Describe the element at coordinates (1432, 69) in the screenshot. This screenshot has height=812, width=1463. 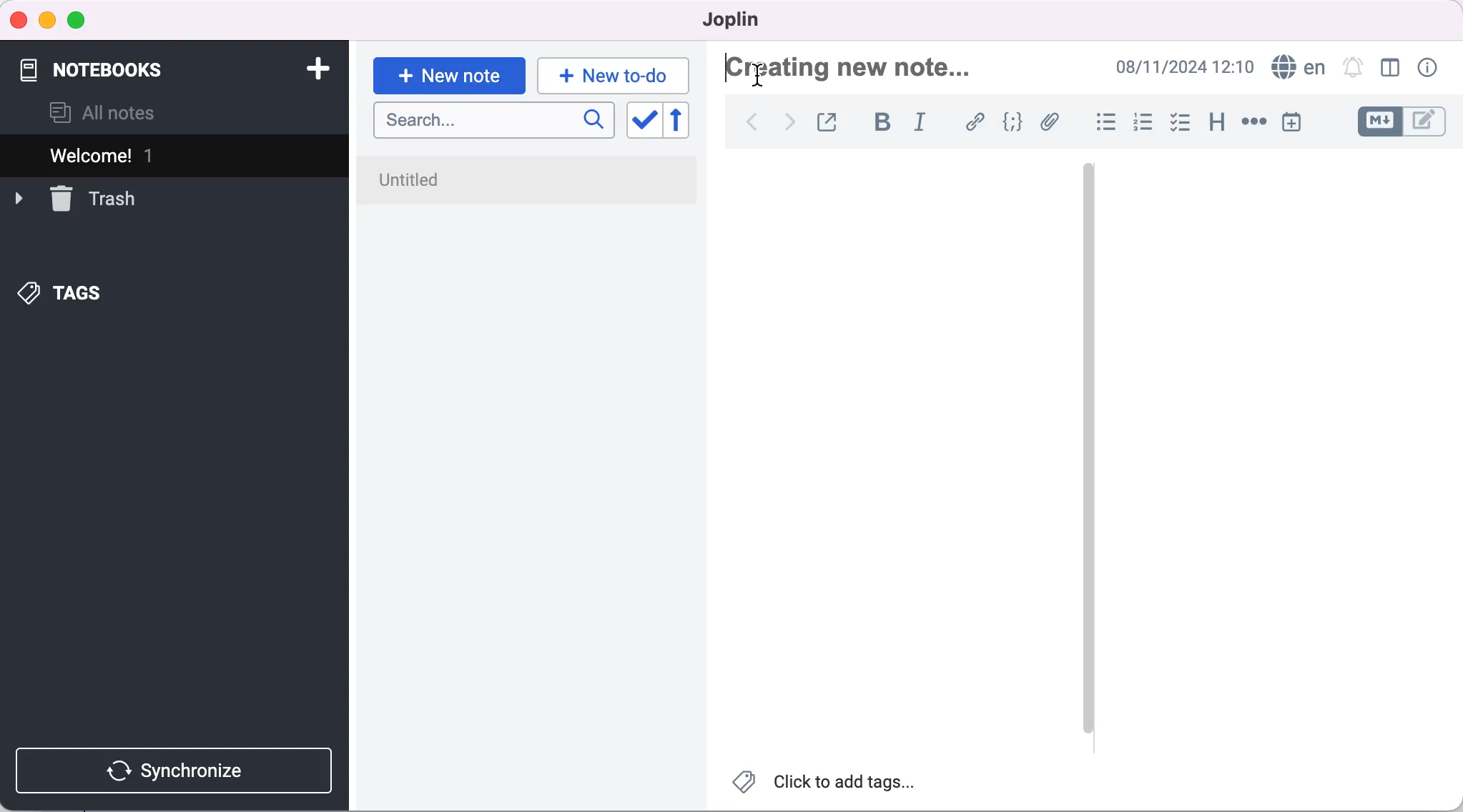
I see `note properties` at that location.